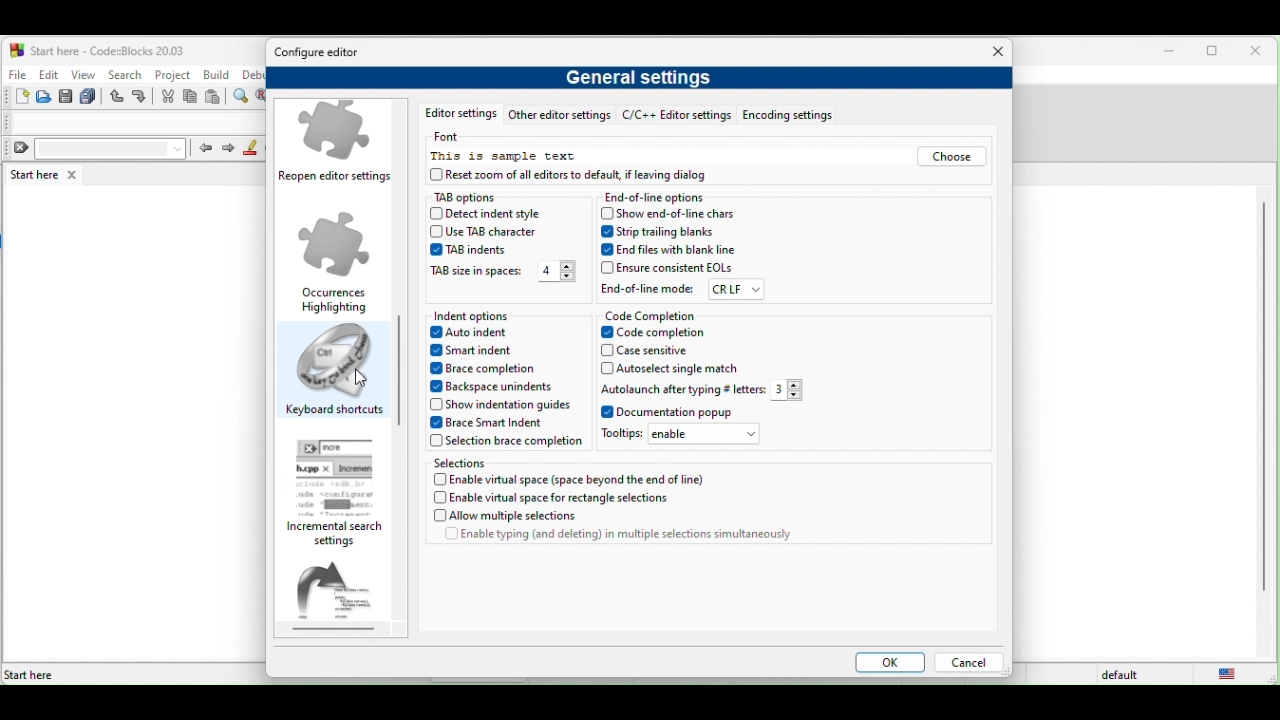  What do you see at coordinates (96, 149) in the screenshot?
I see `clear` at bounding box center [96, 149].